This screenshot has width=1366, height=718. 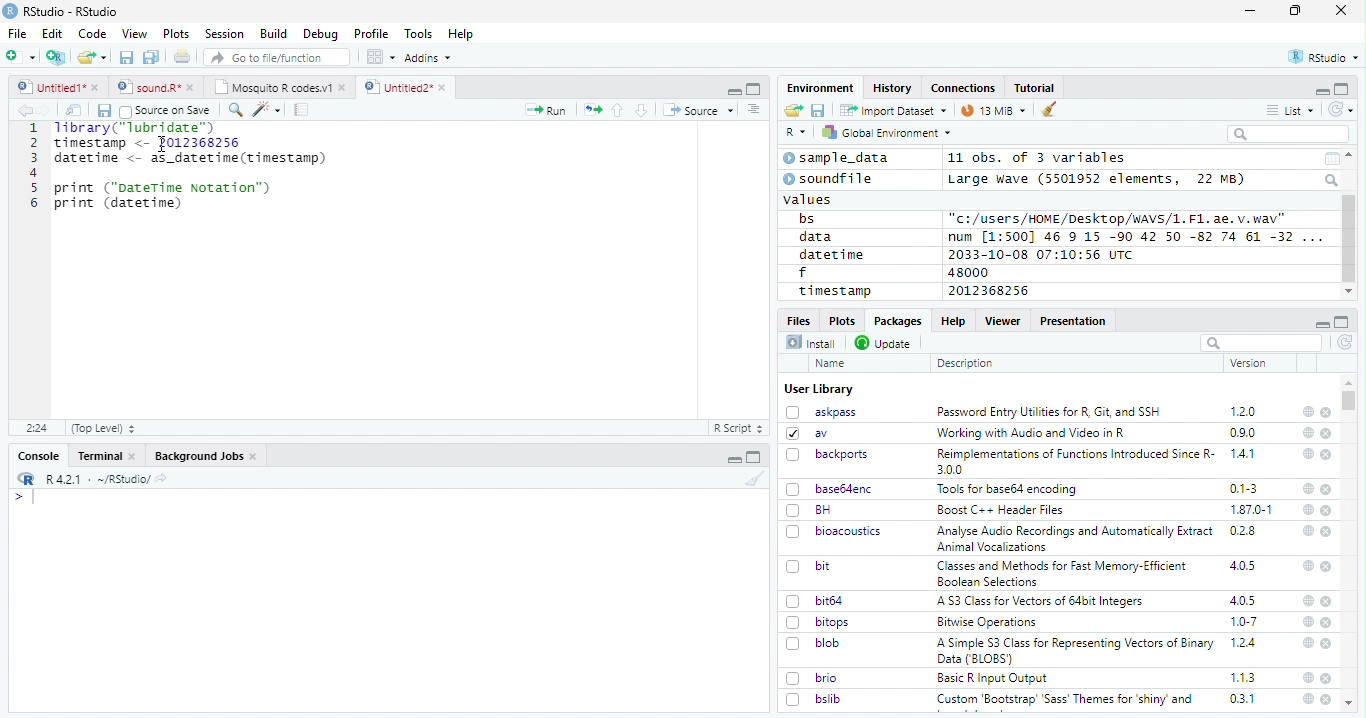 What do you see at coordinates (989, 622) in the screenshot?
I see `Bitwise Operations` at bounding box center [989, 622].